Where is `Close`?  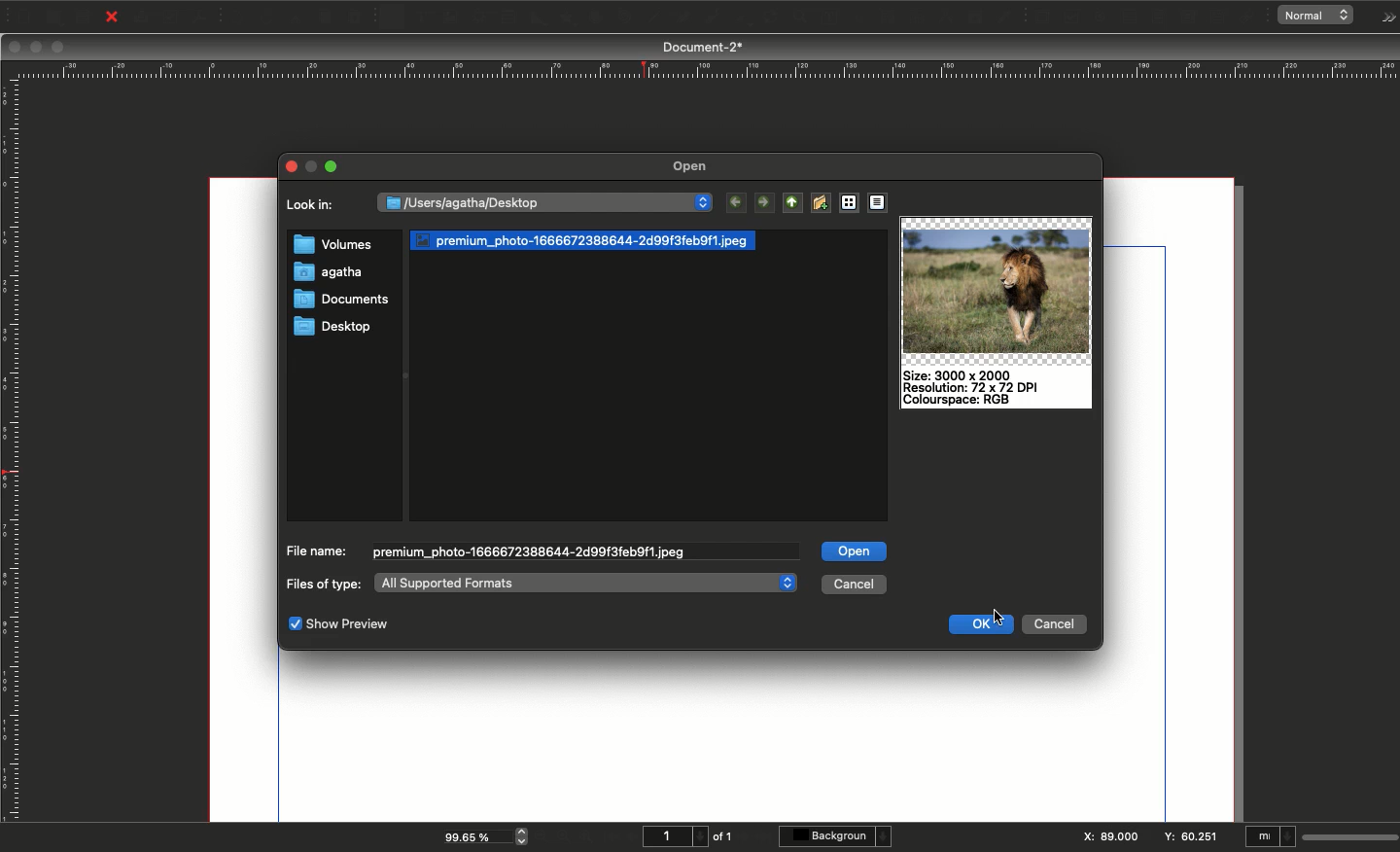
Close is located at coordinates (291, 163).